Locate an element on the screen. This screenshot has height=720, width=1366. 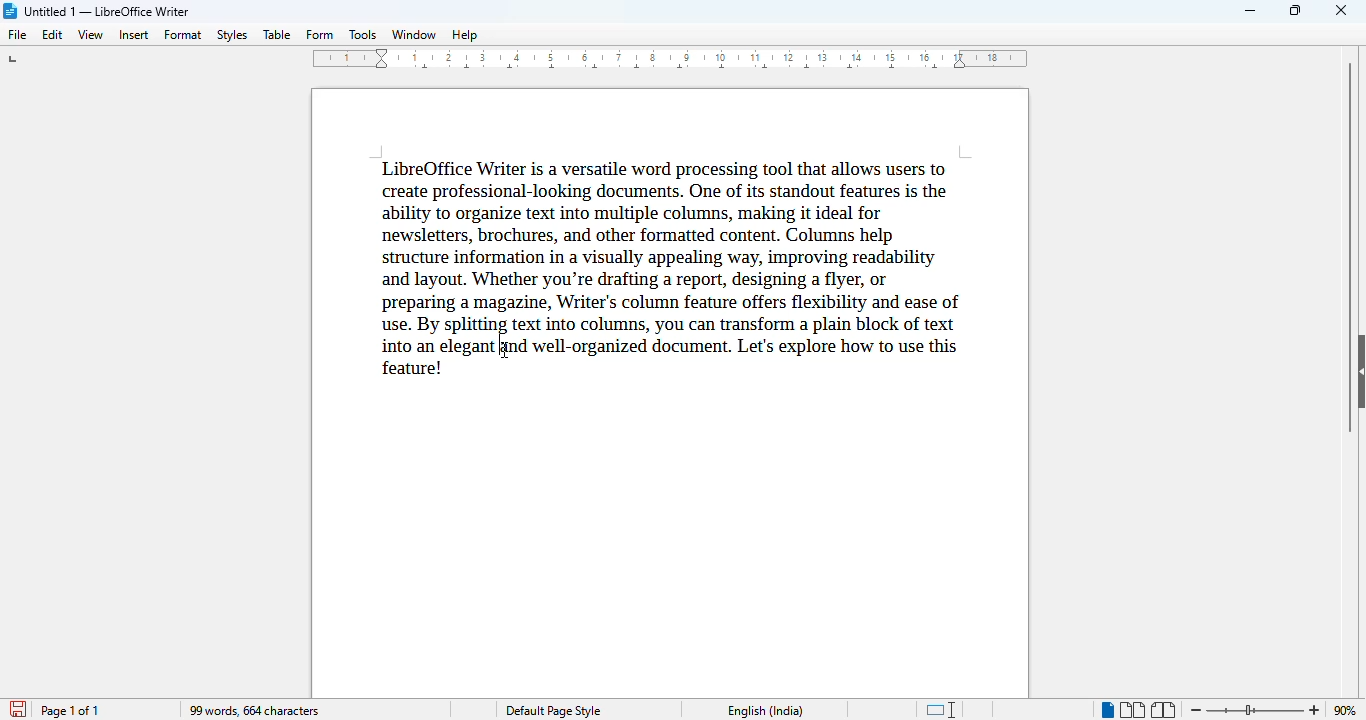
multi-page view is located at coordinates (1132, 710).